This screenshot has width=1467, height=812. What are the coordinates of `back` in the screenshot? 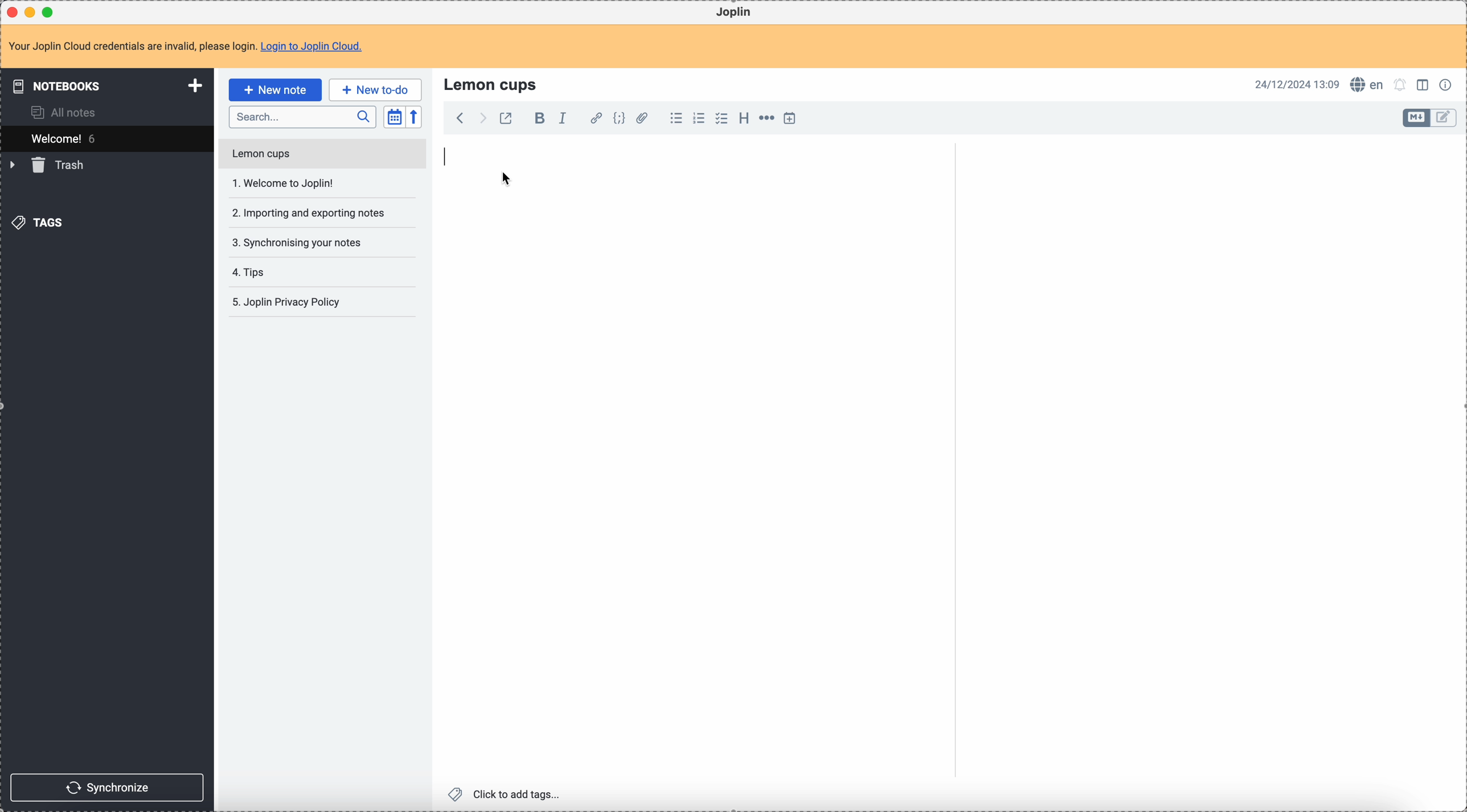 It's located at (460, 118).